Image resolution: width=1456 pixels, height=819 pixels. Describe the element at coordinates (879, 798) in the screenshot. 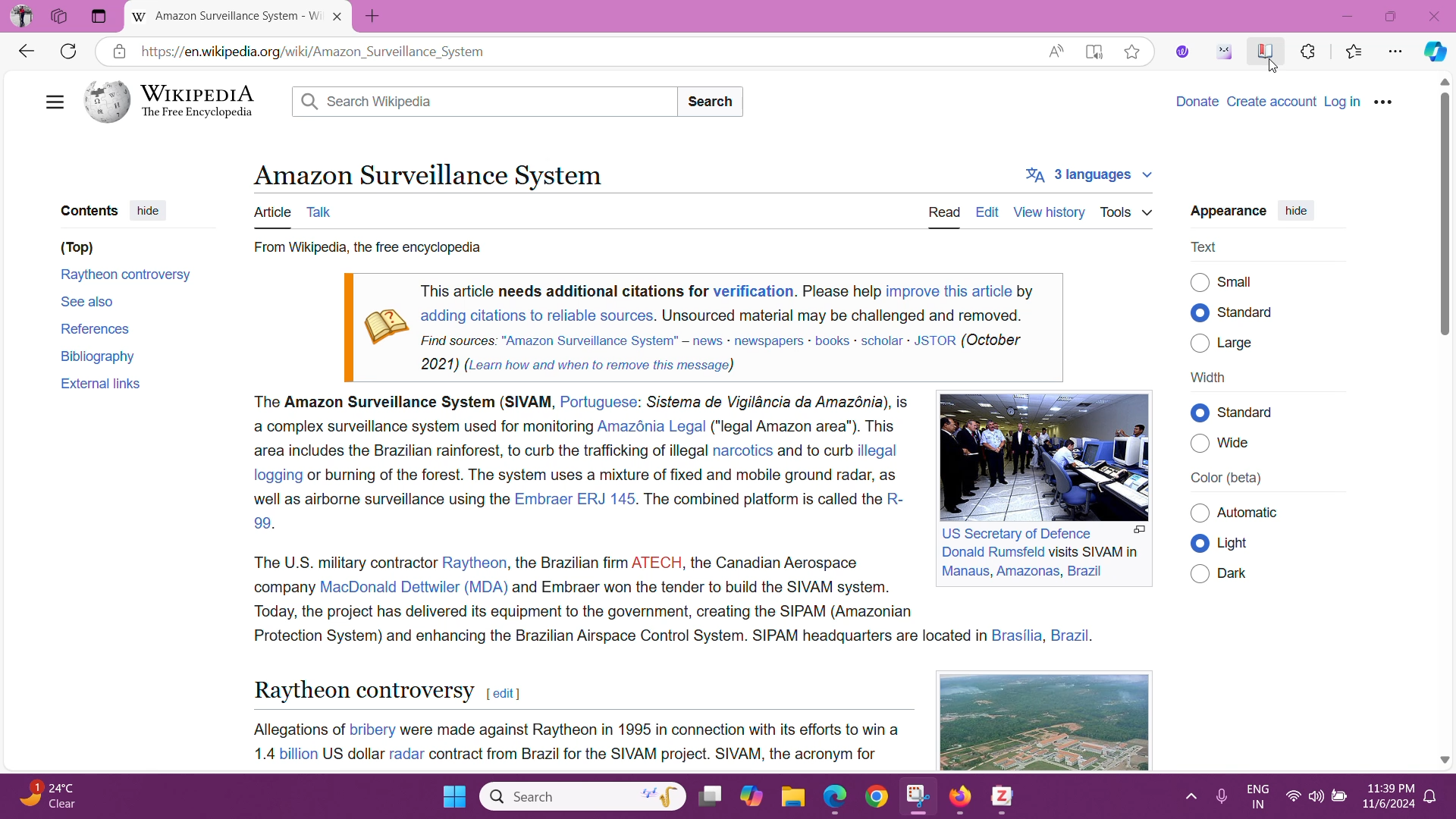

I see `chrome` at that location.